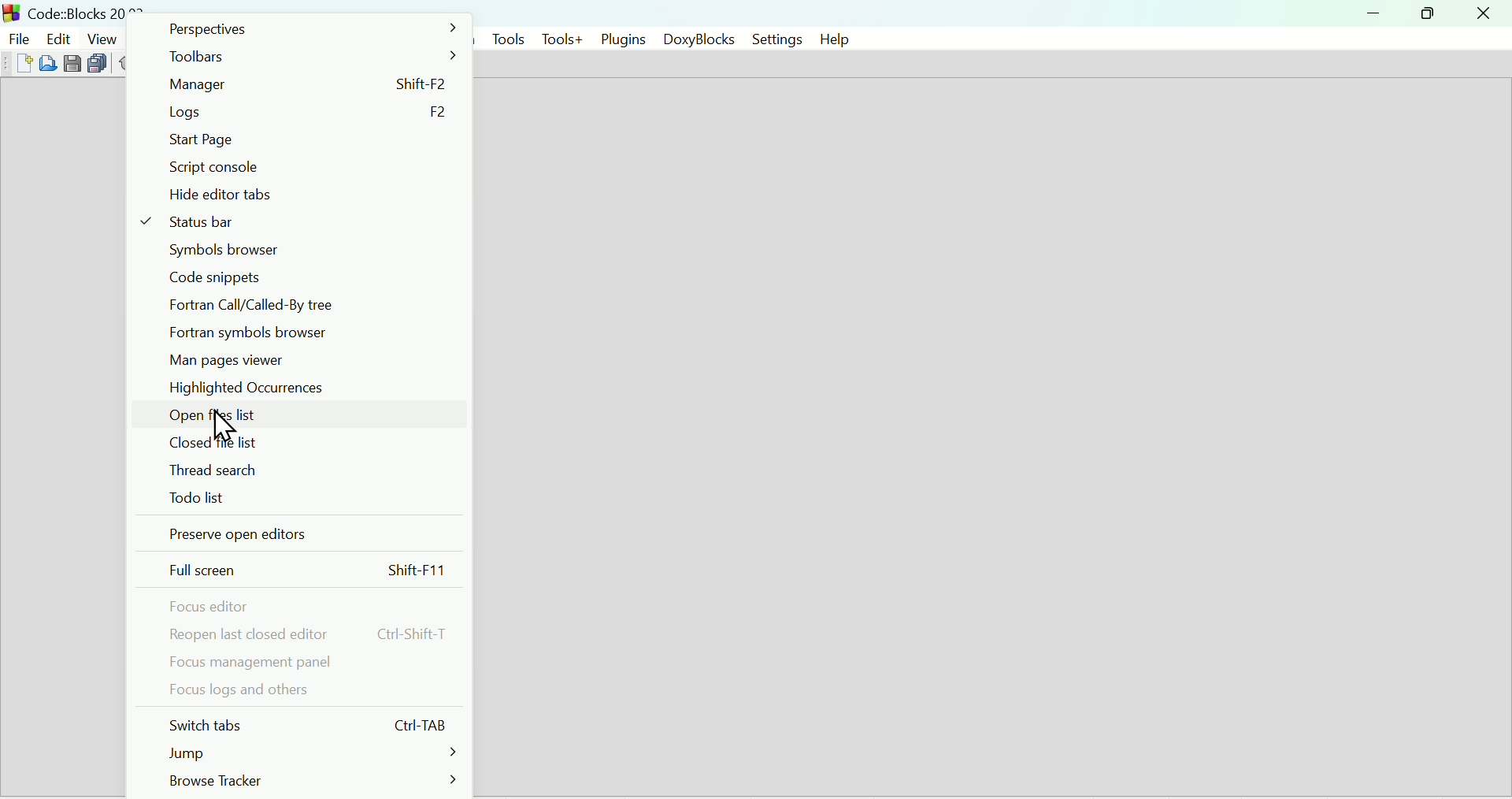 The width and height of the screenshot is (1512, 799). Describe the element at coordinates (302, 221) in the screenshot. I see `Status bar` at that location.